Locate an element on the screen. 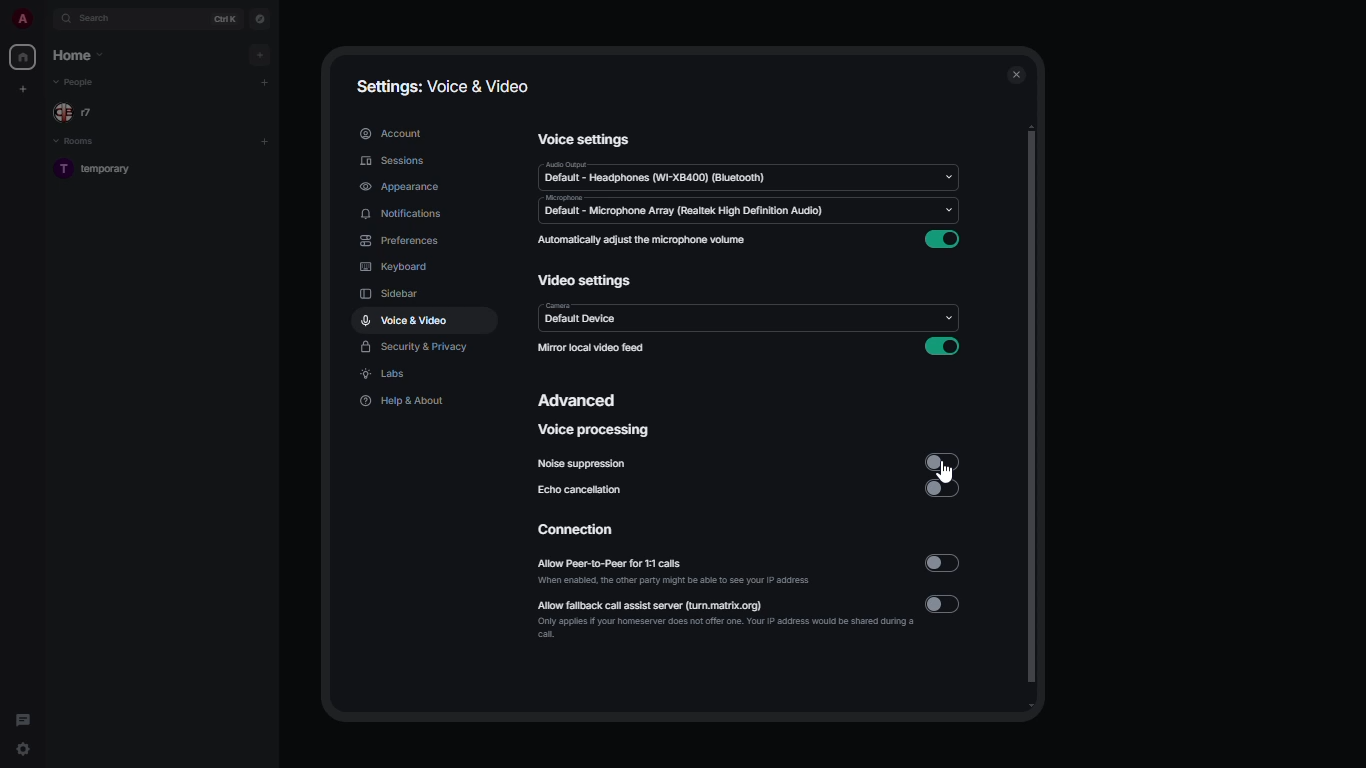 The height and width of the screenshot is (768, 1366). keyboard is located at coordinates (396, 268).